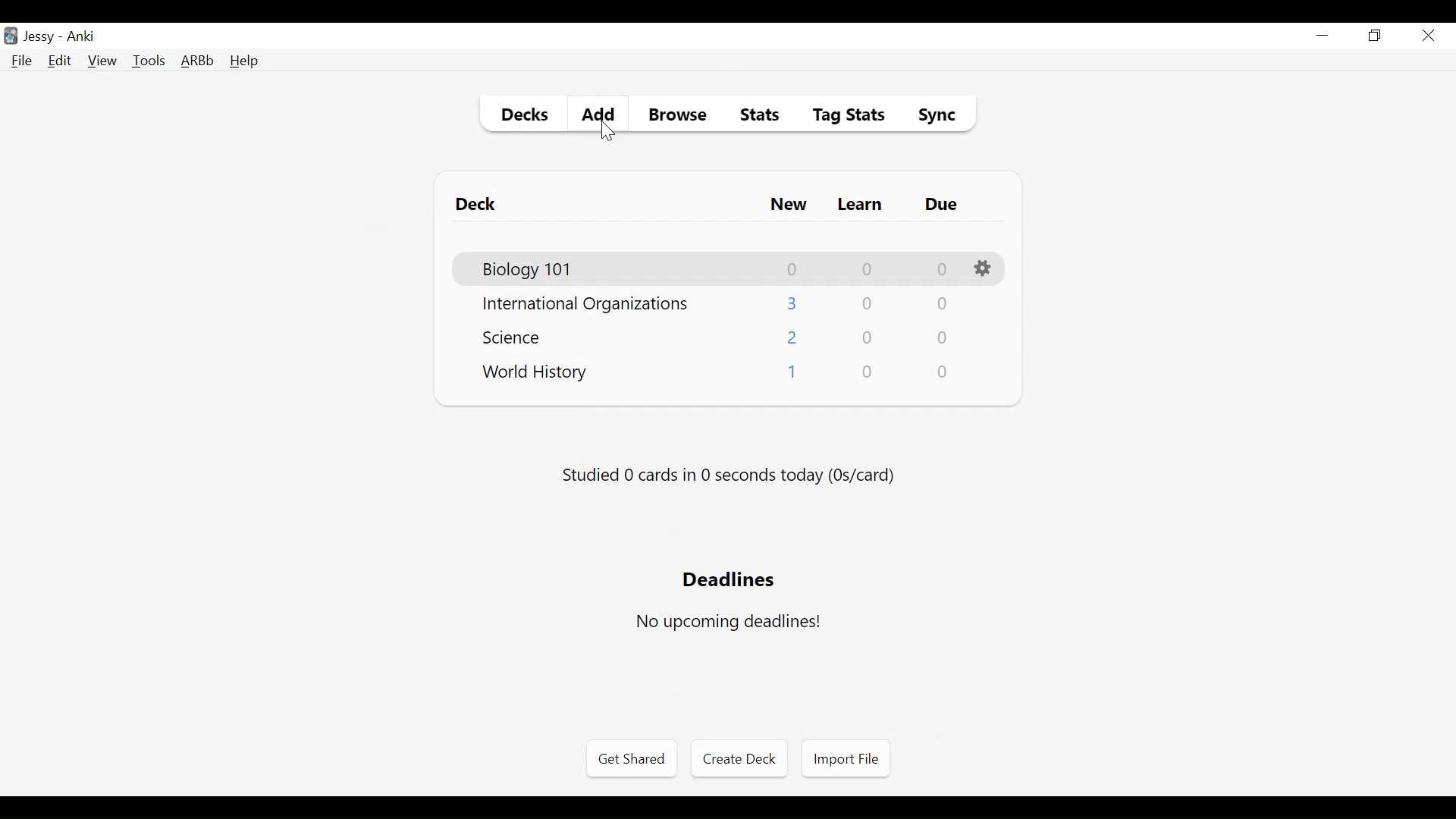 Image resolution: width=1456 pixels, height=819 pixels. I want to click on Learn Card Count, so click(866, 304).